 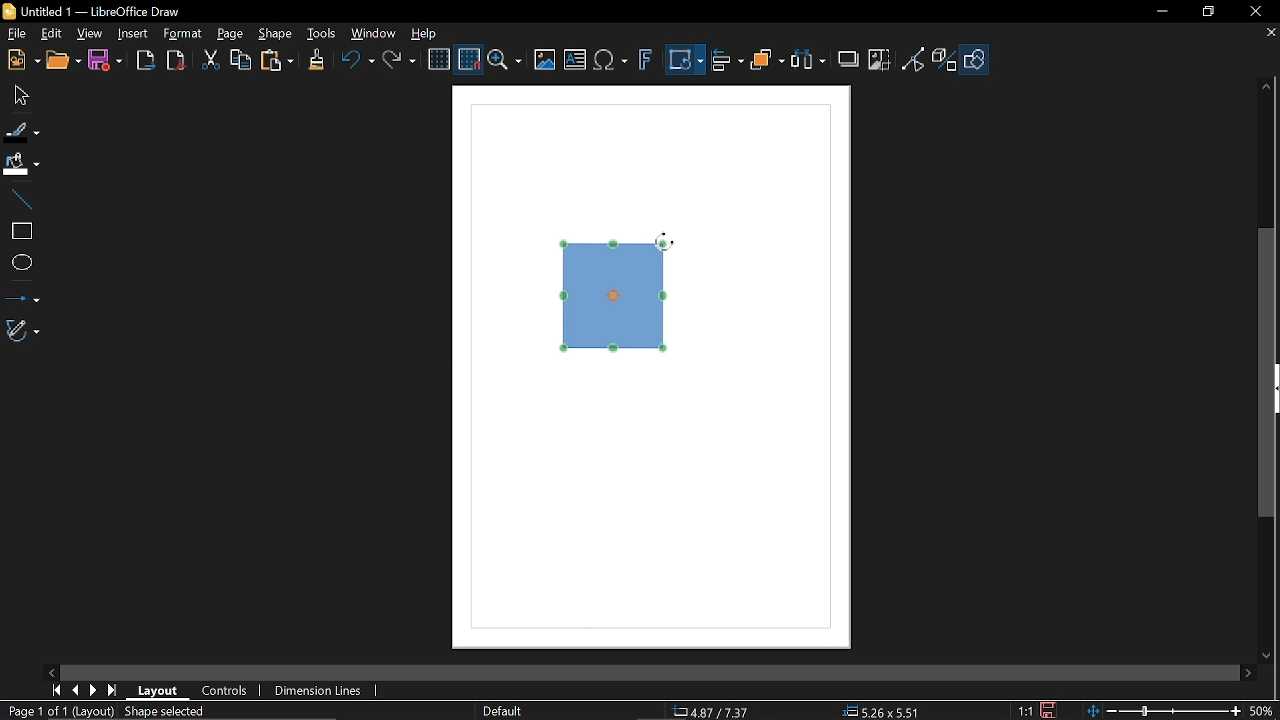 I want to click on Go to first page , so click(x=56, y=691).